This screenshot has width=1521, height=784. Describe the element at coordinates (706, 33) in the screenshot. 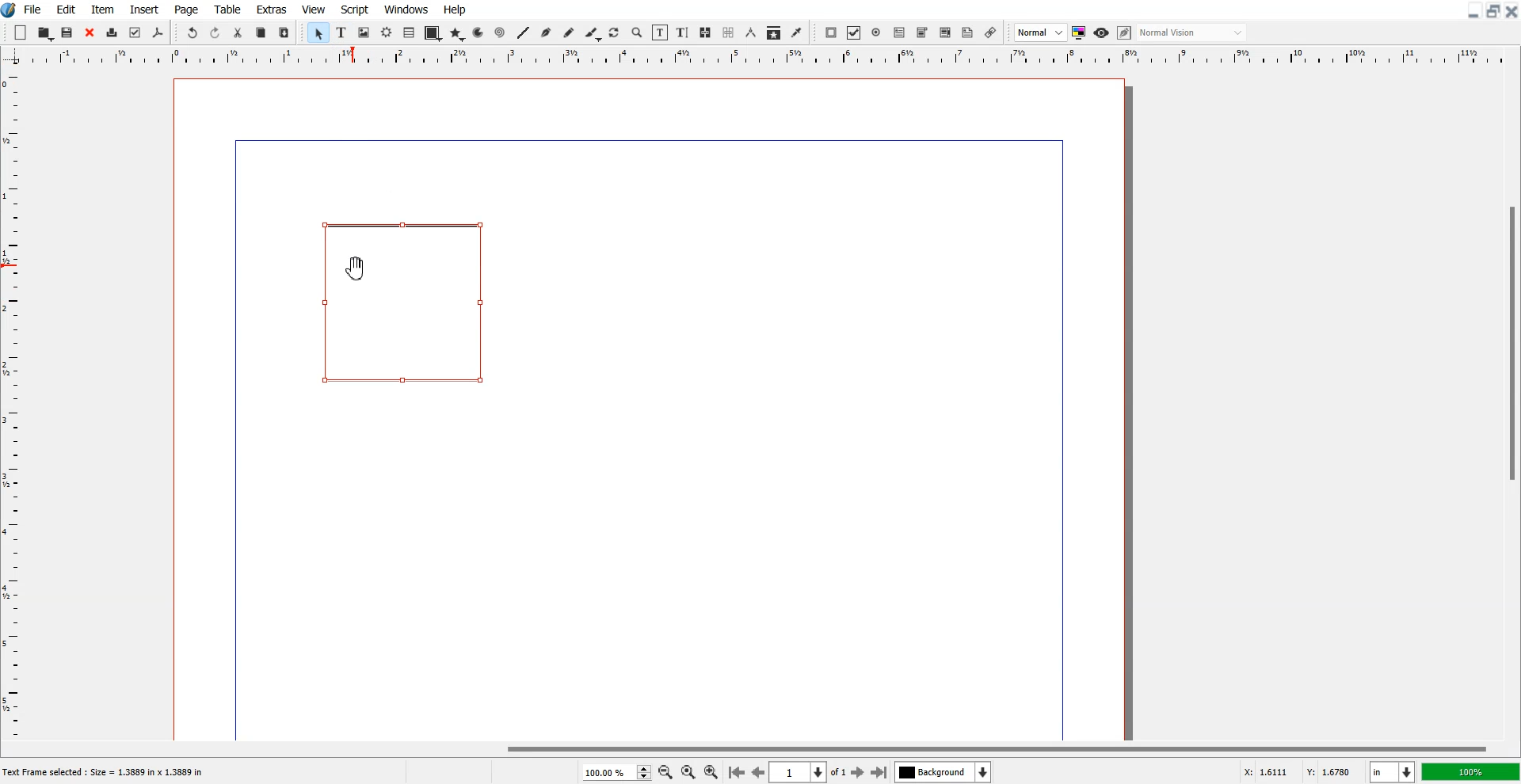

I see `Link text frame` at that location.